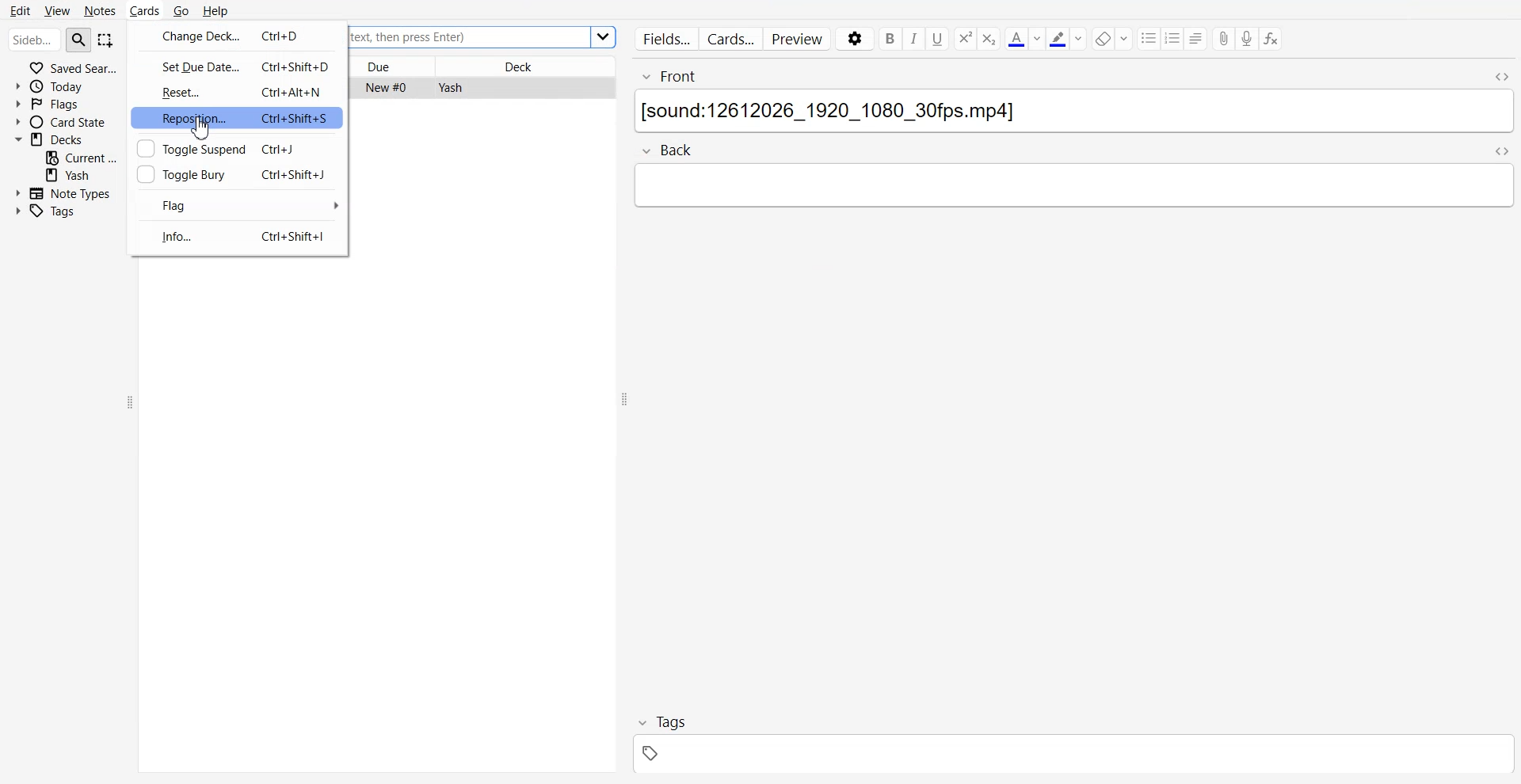  Describe the element at coordinates (1197, 38) in the screenshot. I see `Allignment` at that location.